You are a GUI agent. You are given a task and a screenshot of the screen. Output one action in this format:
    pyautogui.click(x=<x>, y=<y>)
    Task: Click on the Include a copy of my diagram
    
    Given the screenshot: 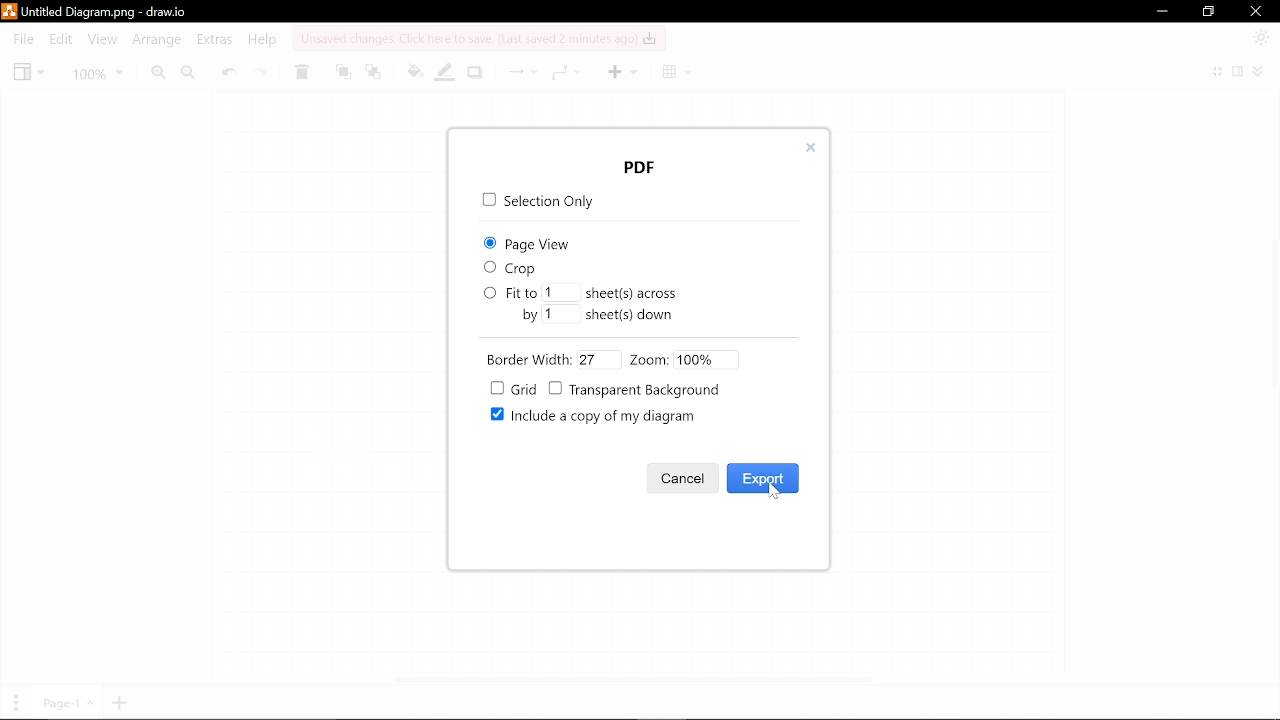 What is the action you would take?
    pyautogui.click(x=589, y=414)
    